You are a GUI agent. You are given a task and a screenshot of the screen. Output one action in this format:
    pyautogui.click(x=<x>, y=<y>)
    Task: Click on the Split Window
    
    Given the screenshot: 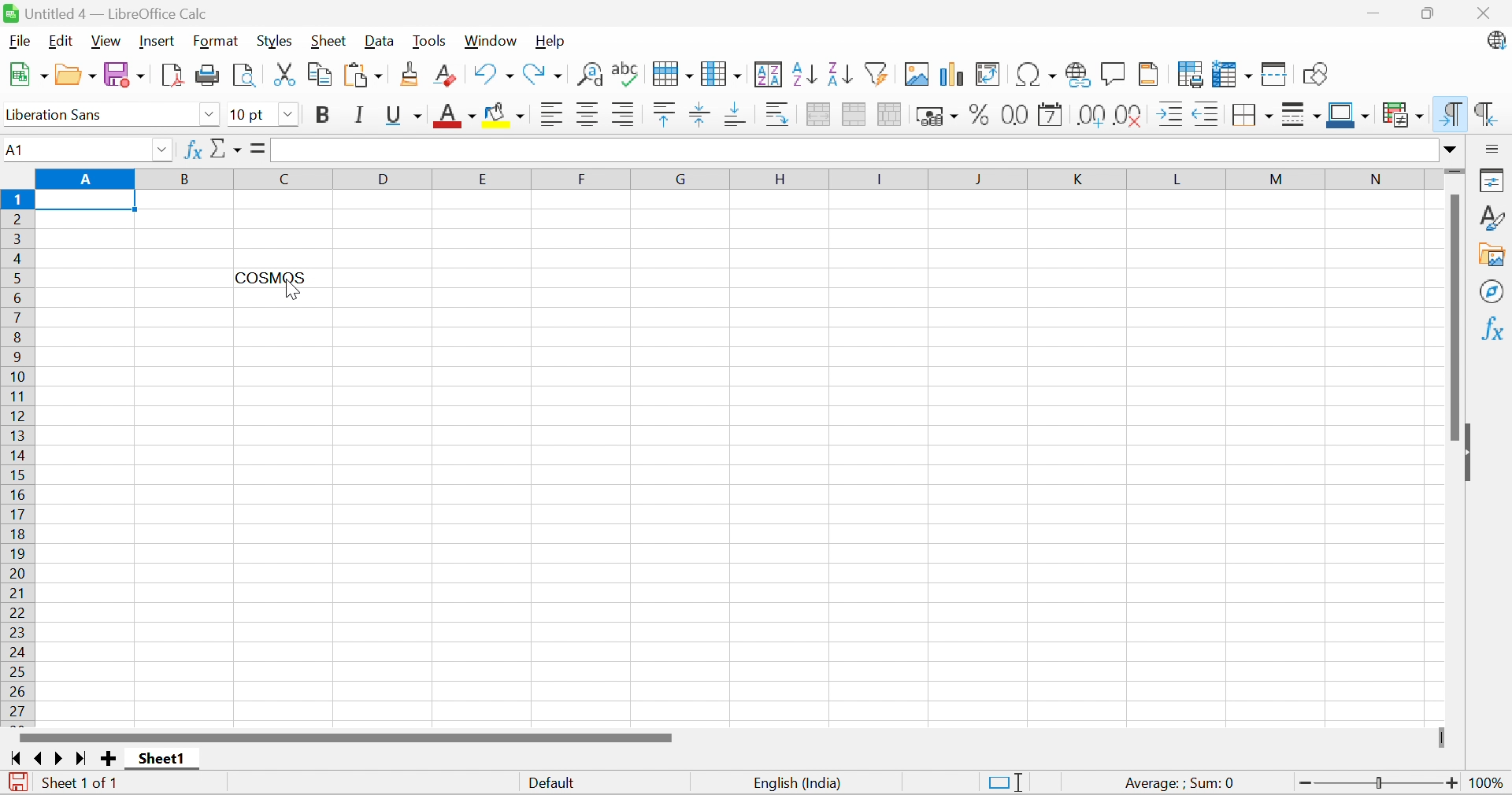 What is the action you would take?
    pyautogui.click(x=1277, y=75)
    